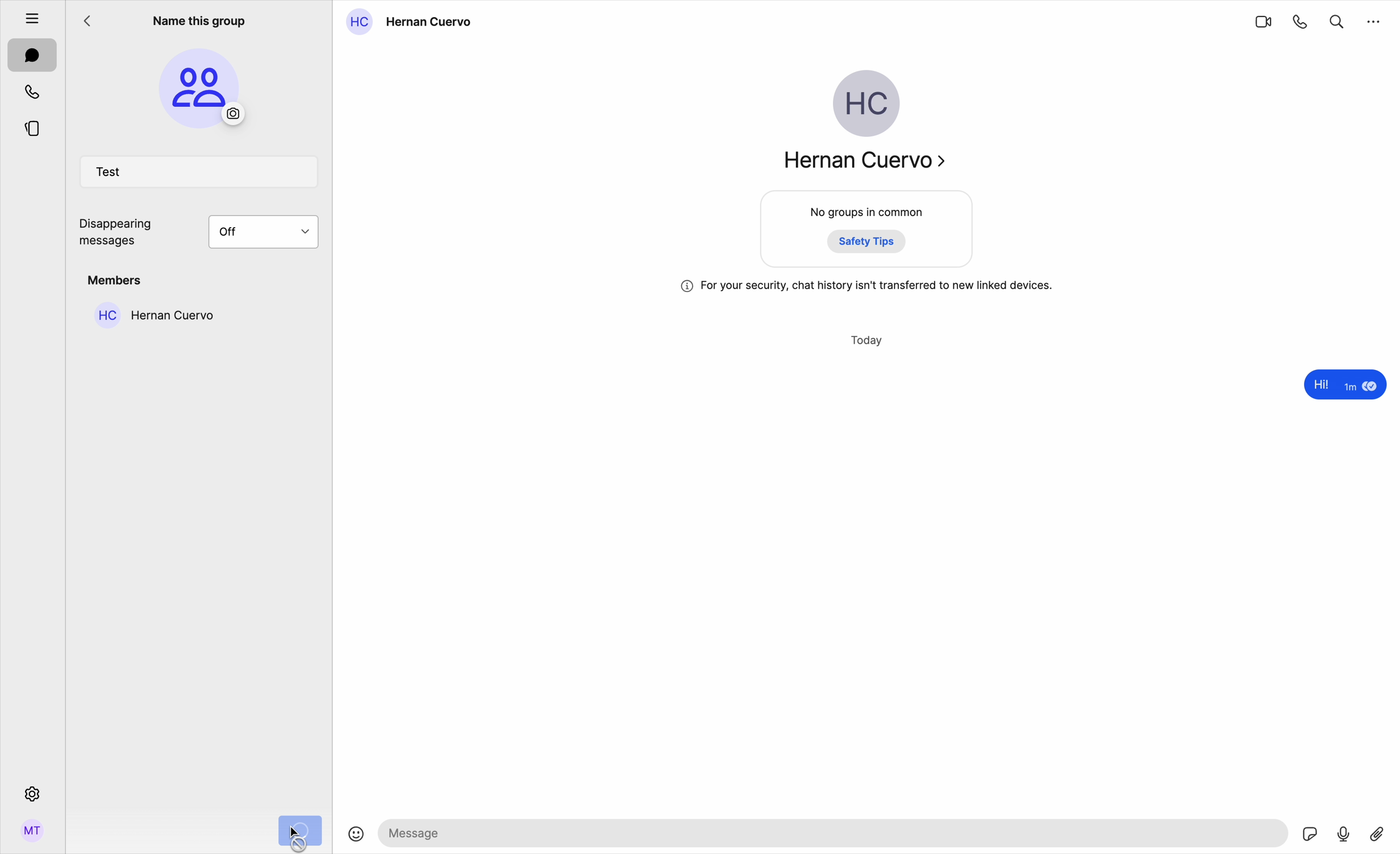 This screenshot has height=854, width=1400. I want to click on hide tabs, so click(26, 15).